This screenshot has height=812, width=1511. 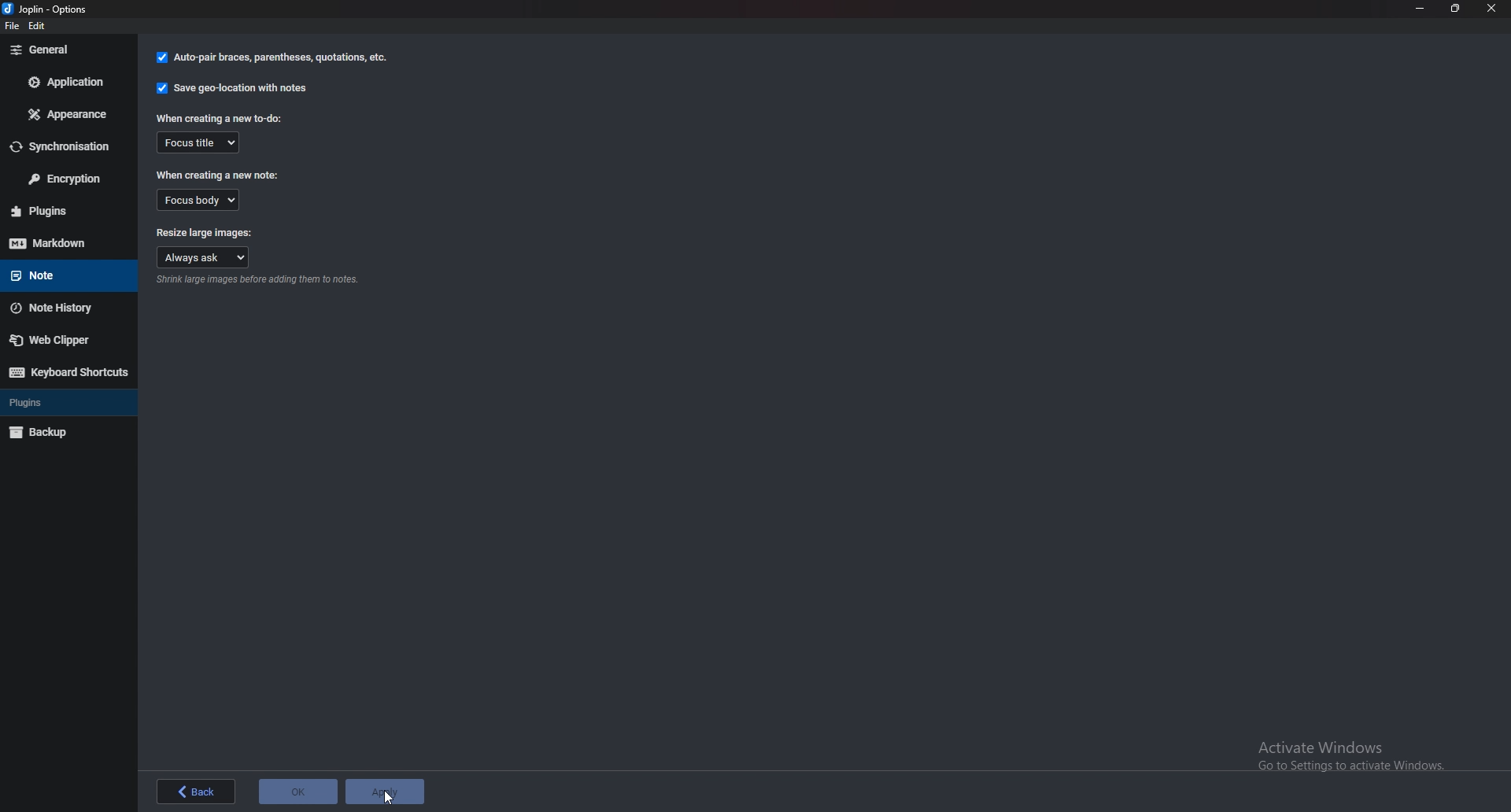 I want to click on encryption, so click(x=69, y=179).